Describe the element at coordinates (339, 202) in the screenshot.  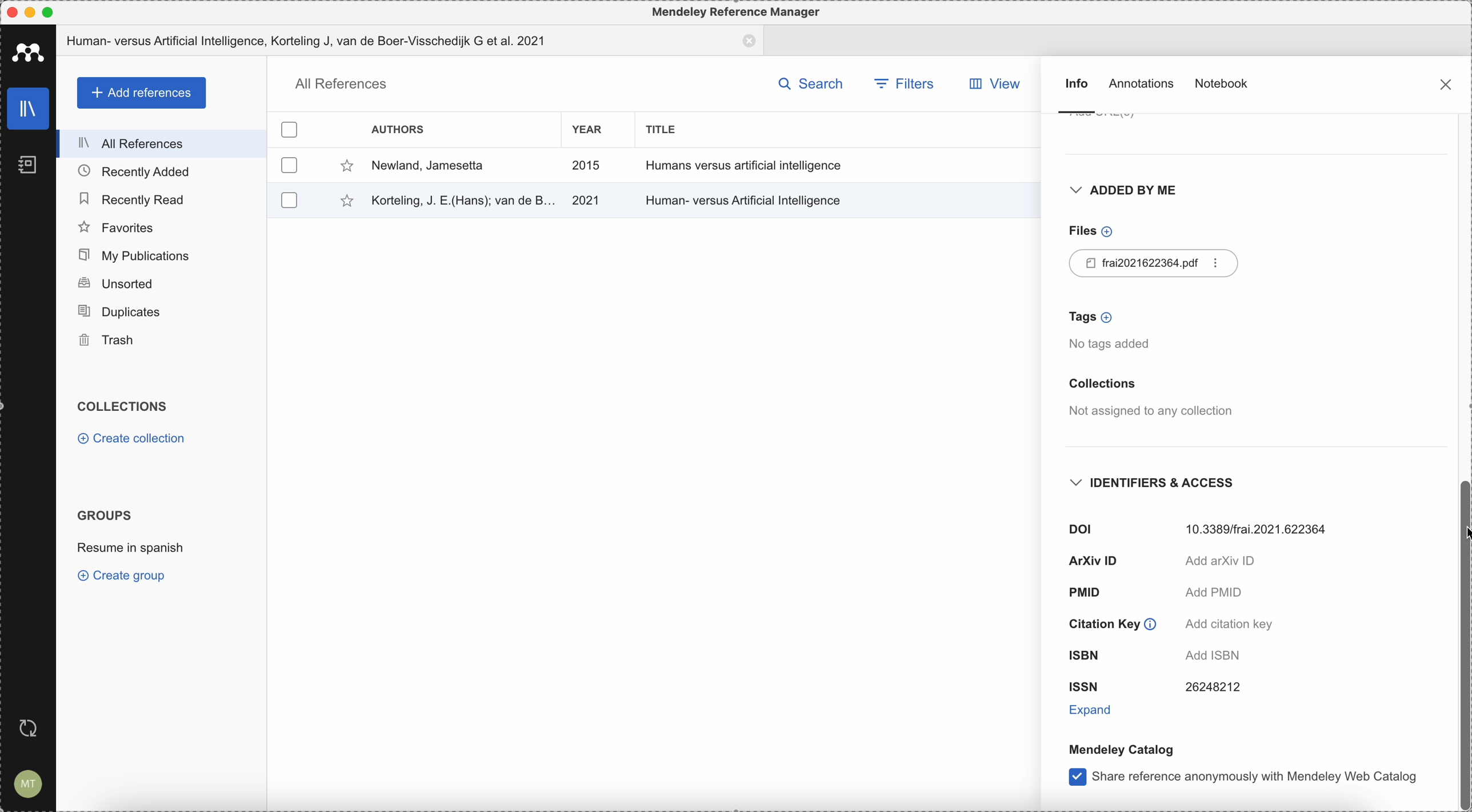
I see `favorite` at that location.